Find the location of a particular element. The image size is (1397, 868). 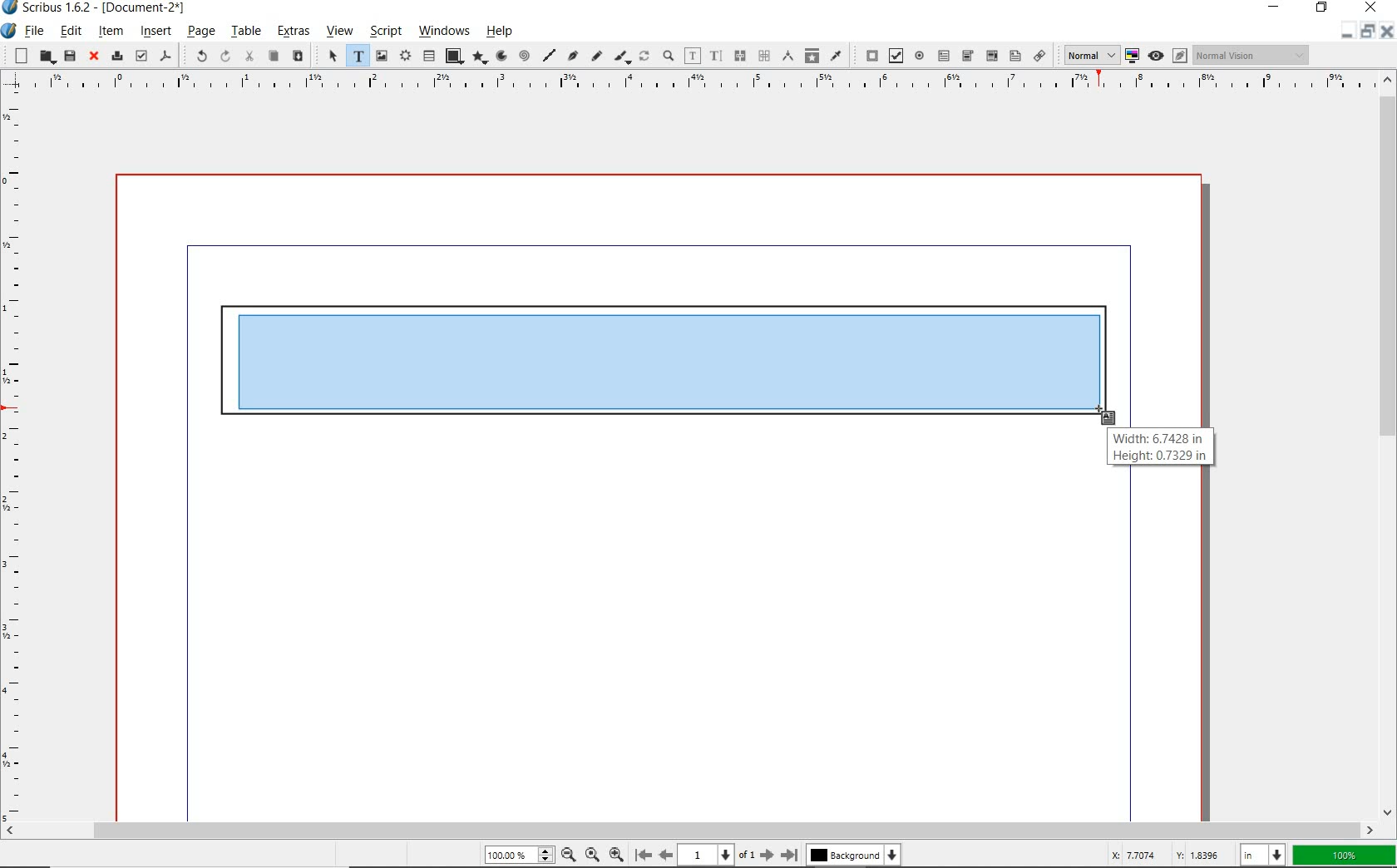

background is located at coordinates (856, 855).